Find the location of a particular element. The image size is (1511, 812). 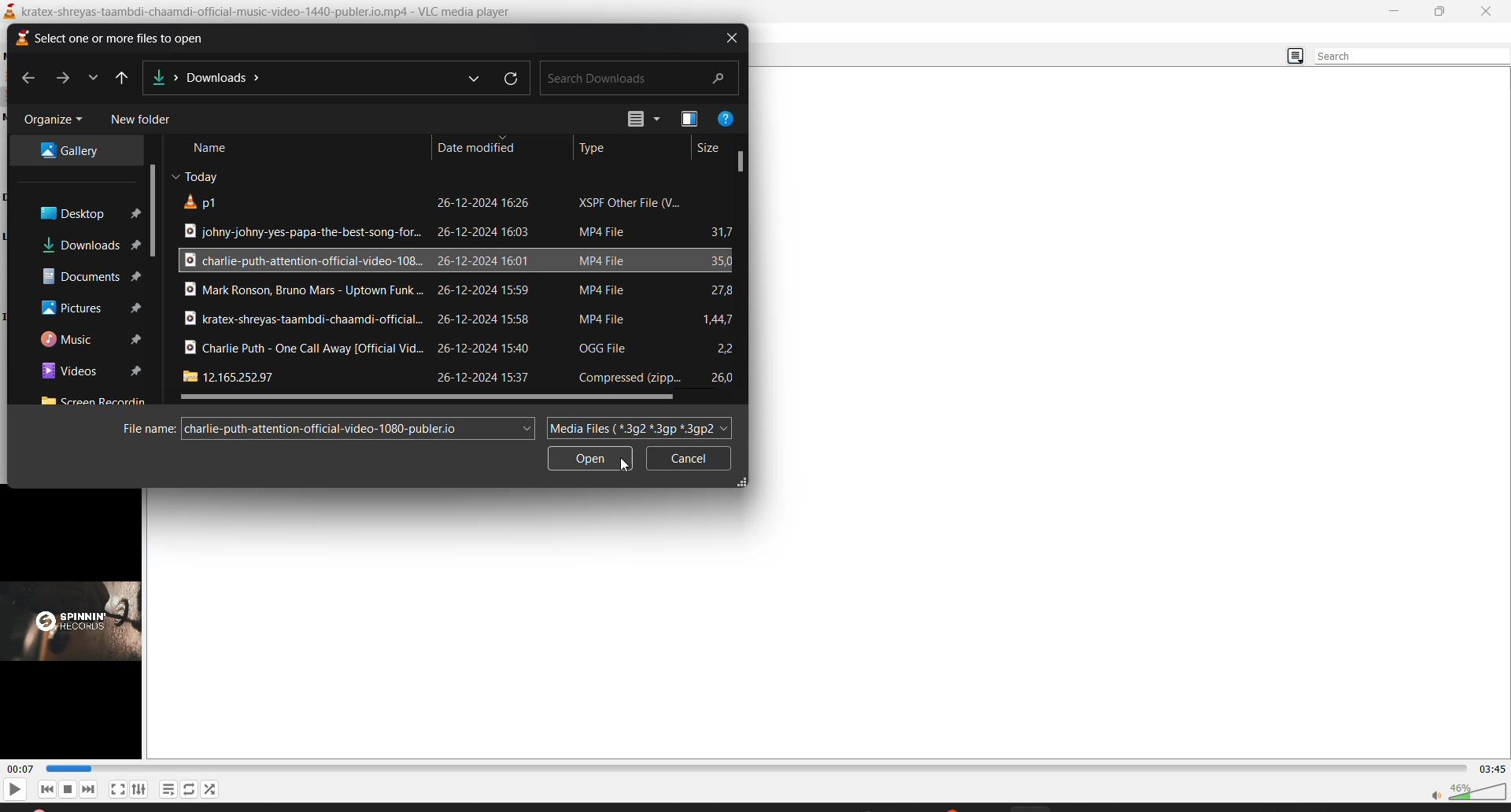

downloads is located at coordinates (88, 247).